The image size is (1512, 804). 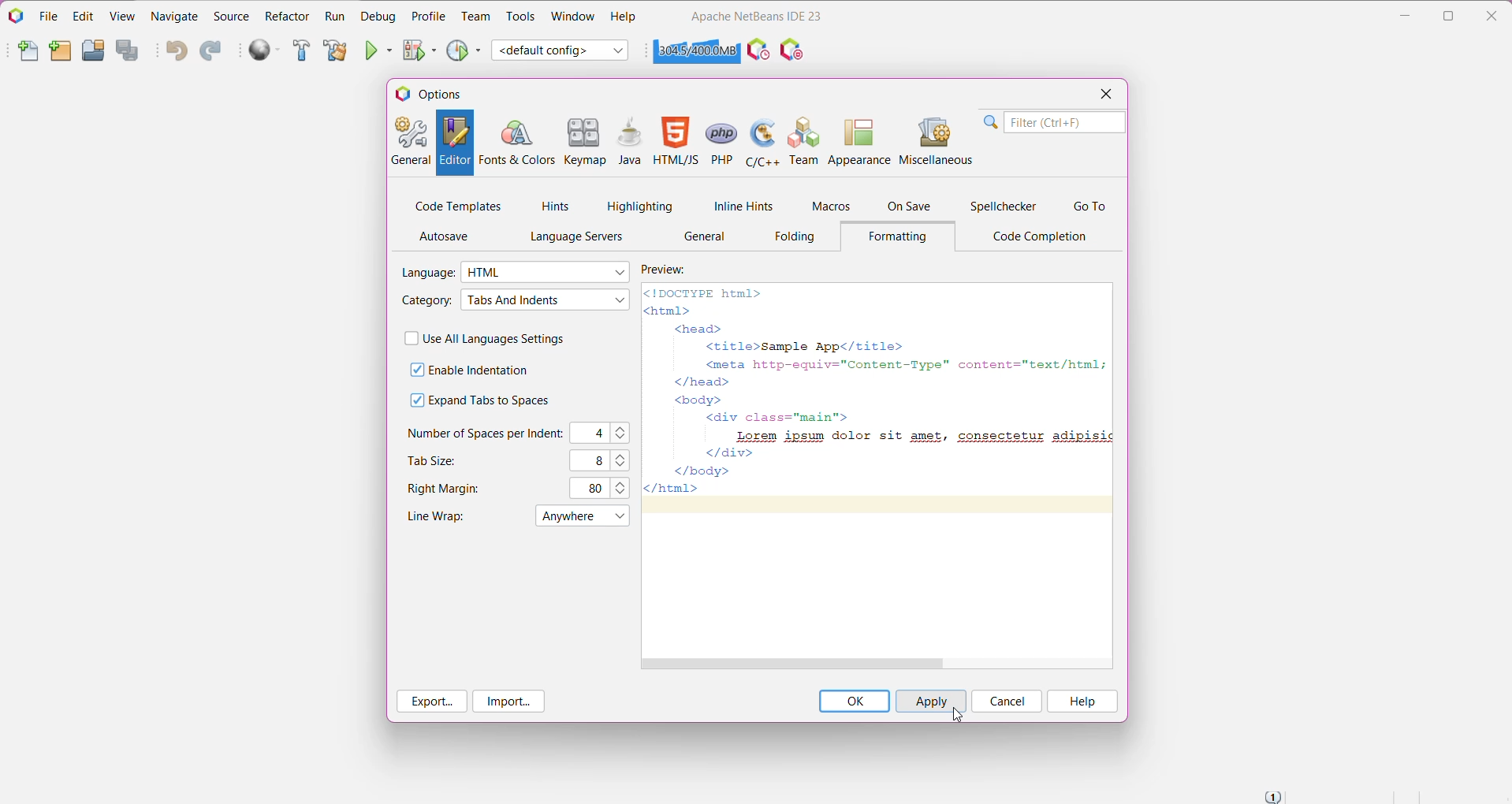 I want to click on </head>, so click(x=696, y=381).